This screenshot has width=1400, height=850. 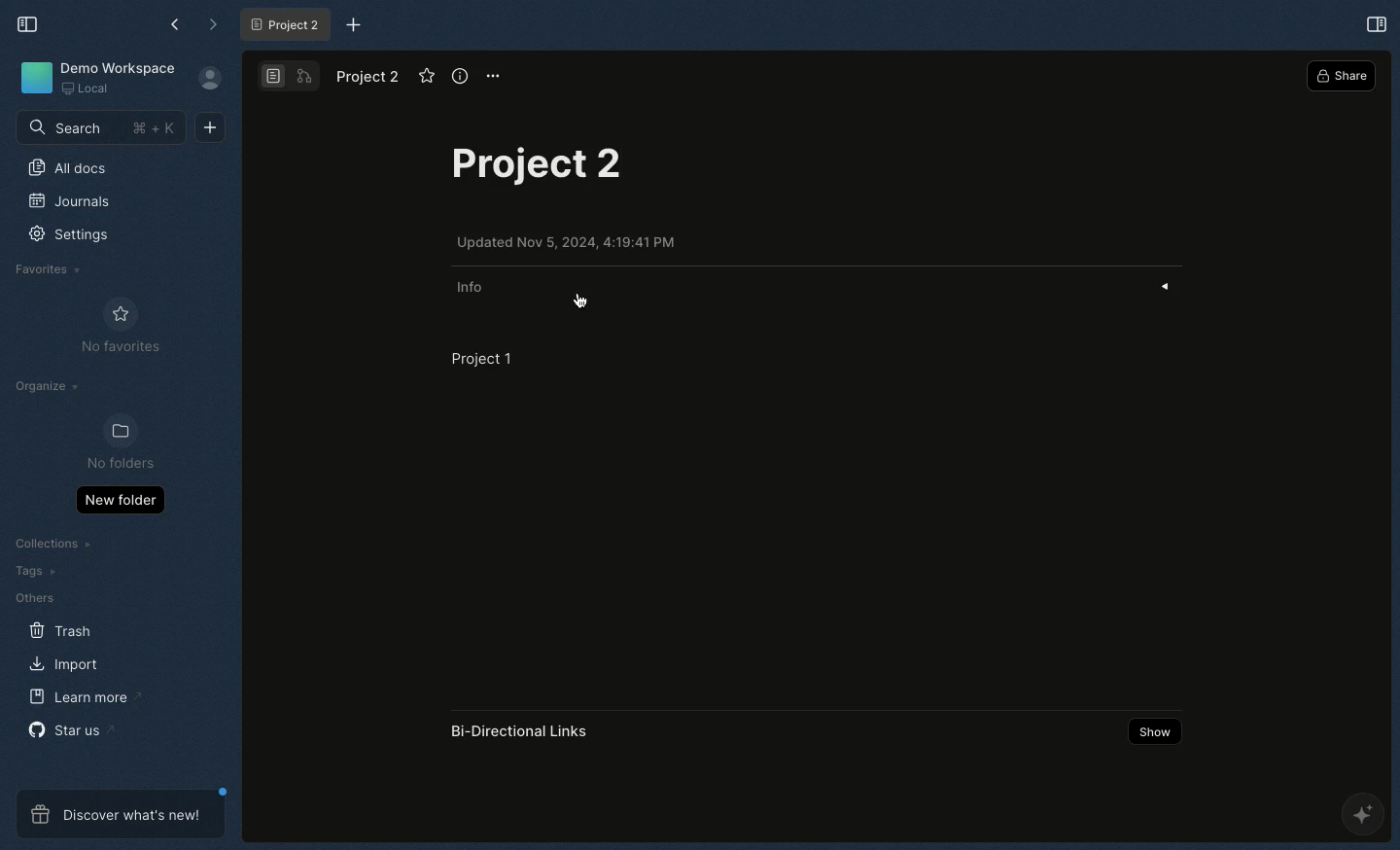 What do you see at coordinates (121, 325) in the screenshot?
I see `No favourites` at bounding box center [121, 325].